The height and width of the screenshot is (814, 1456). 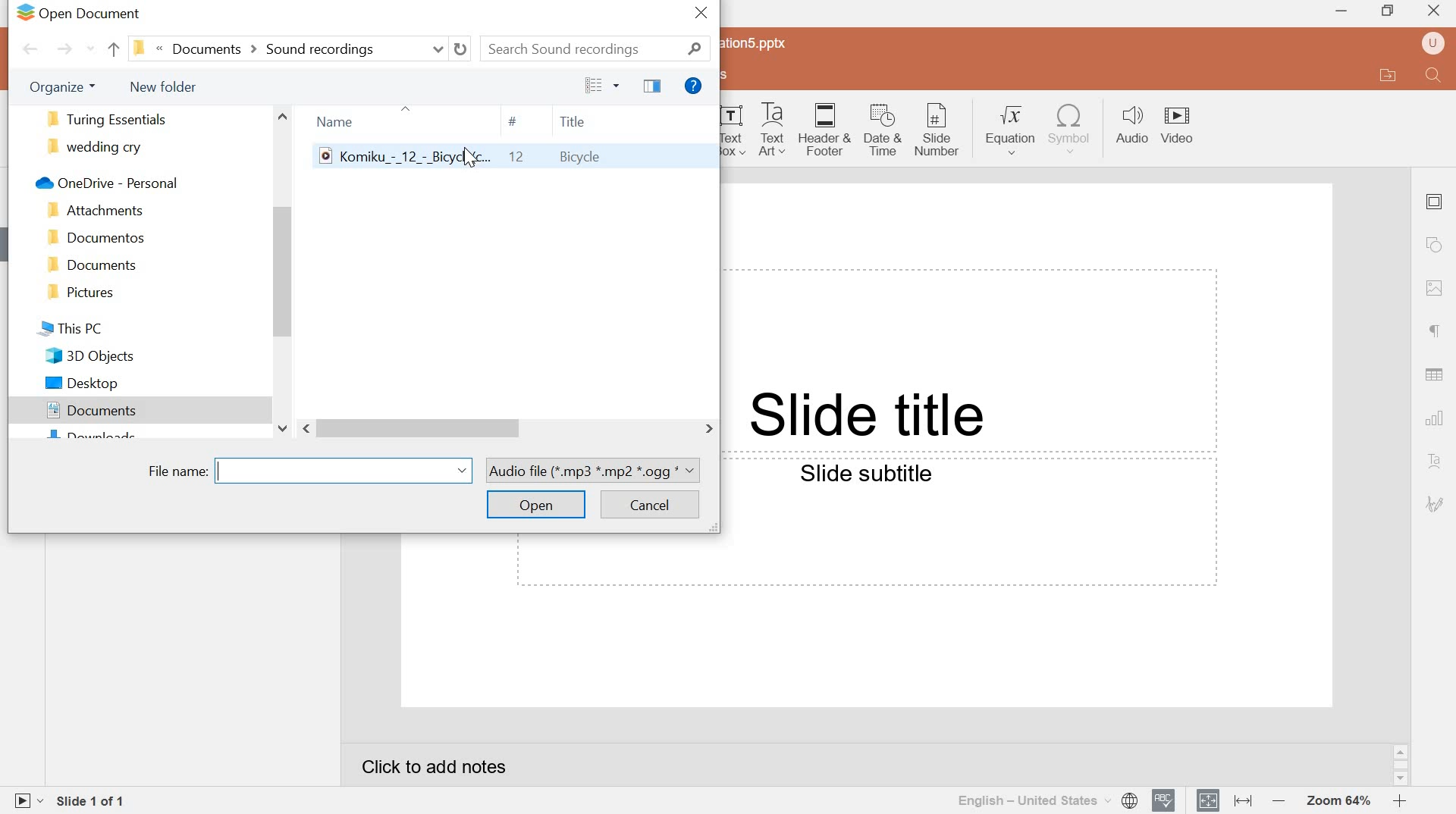 What do you see at coordinates (593, 86) in the screenshot?
I see `change the view` at bounding box center [593, 86].